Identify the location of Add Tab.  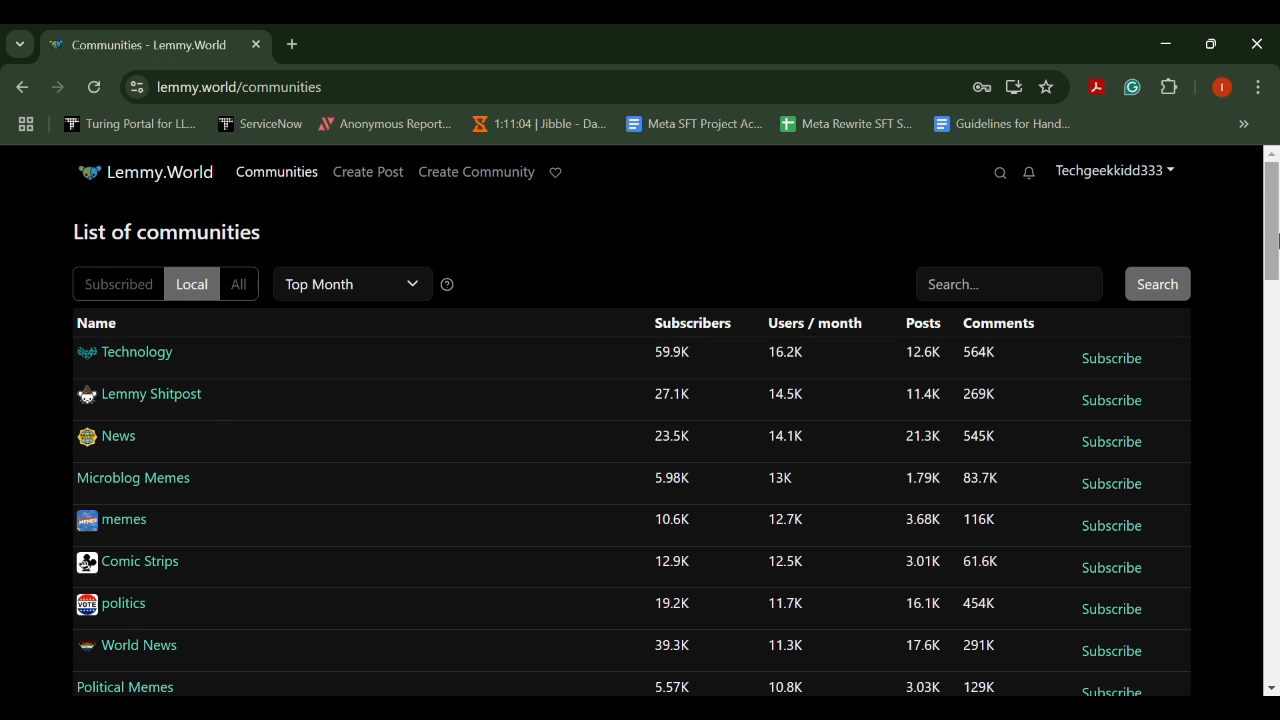
(291, 43).